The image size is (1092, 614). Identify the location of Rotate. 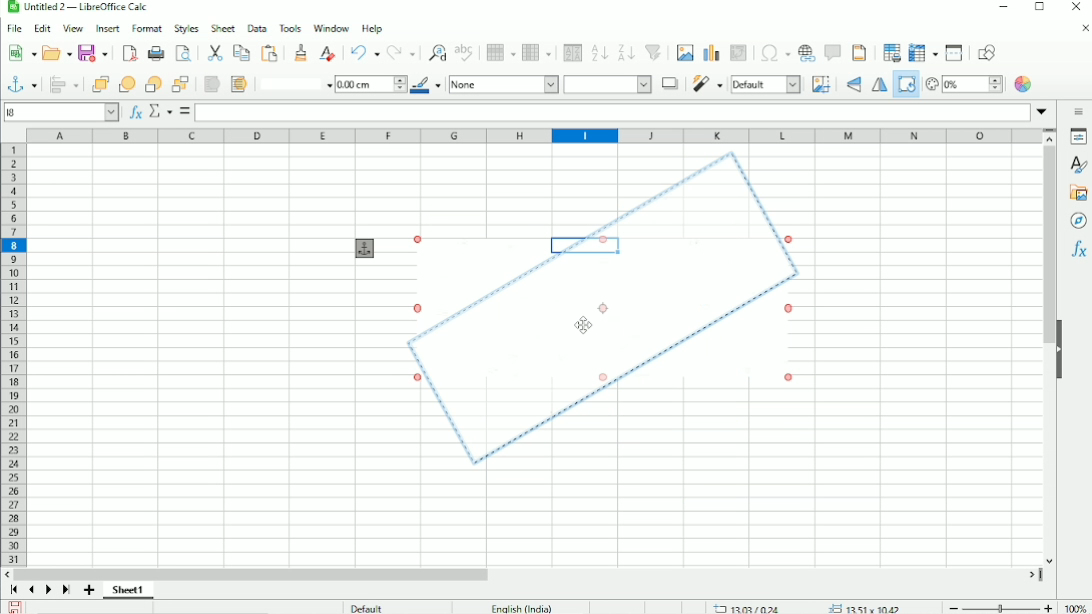
(905, 88).